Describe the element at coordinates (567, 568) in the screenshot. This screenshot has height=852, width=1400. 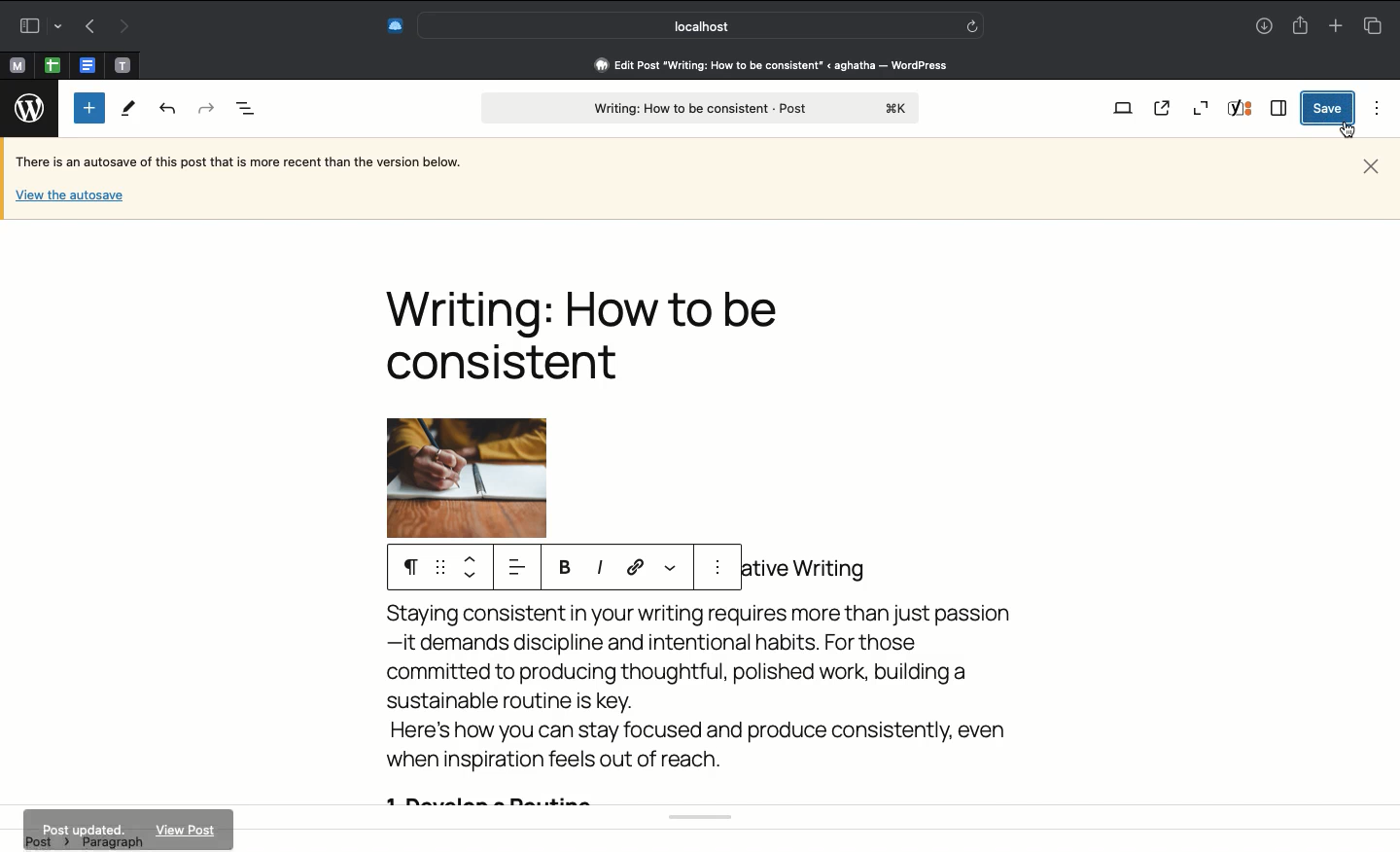
I see `Bold` at that location.